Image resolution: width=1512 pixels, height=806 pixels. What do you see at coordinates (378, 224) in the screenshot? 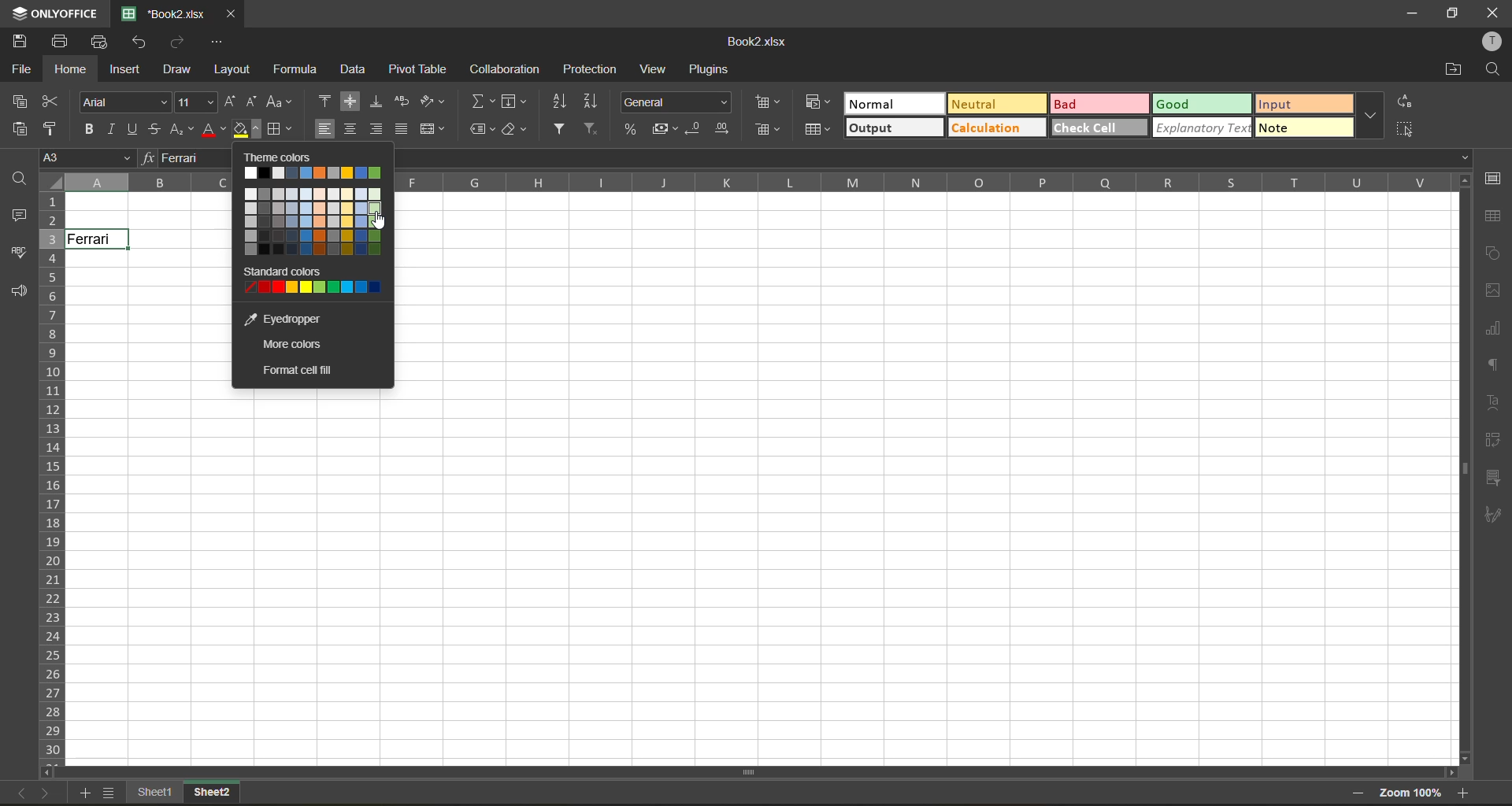
I see `Cursor` at bounding box center [378, 224].